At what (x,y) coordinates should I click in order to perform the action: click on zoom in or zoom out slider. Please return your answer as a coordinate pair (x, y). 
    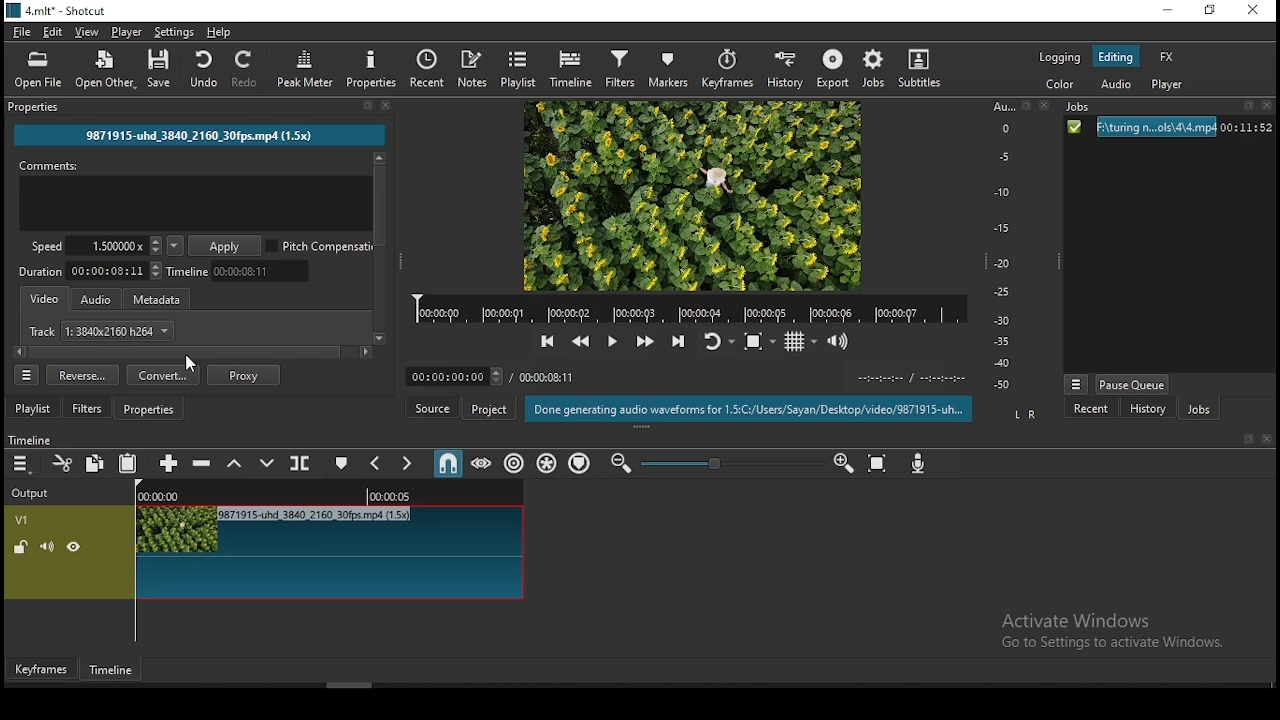
    Looking at the image, I should click on (731, 466).